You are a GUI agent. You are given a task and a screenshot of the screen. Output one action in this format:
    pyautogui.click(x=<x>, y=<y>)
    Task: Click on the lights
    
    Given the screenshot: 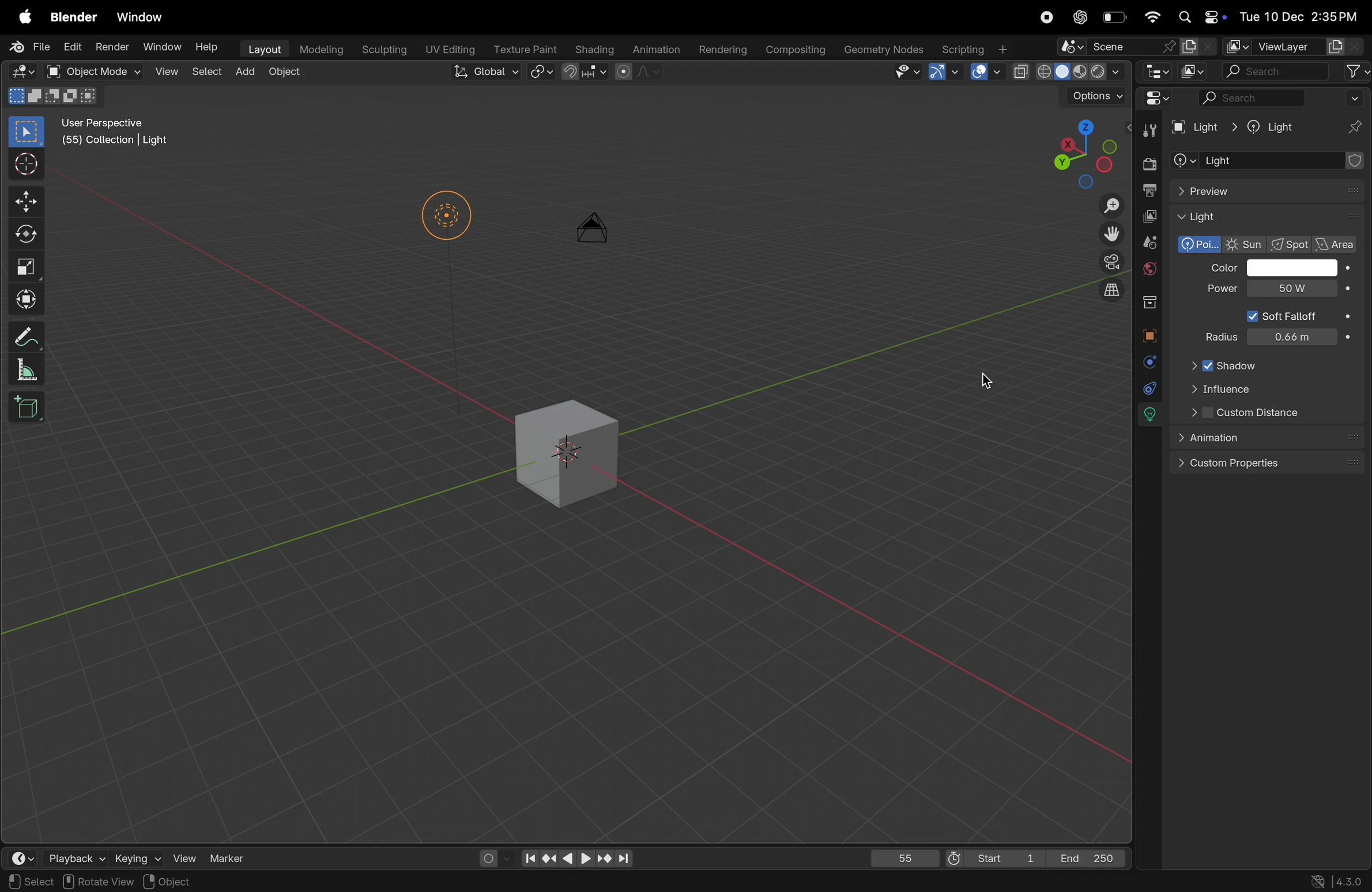 What is the action you would take?
    pyautogui.click(x=1148, y=421)
    